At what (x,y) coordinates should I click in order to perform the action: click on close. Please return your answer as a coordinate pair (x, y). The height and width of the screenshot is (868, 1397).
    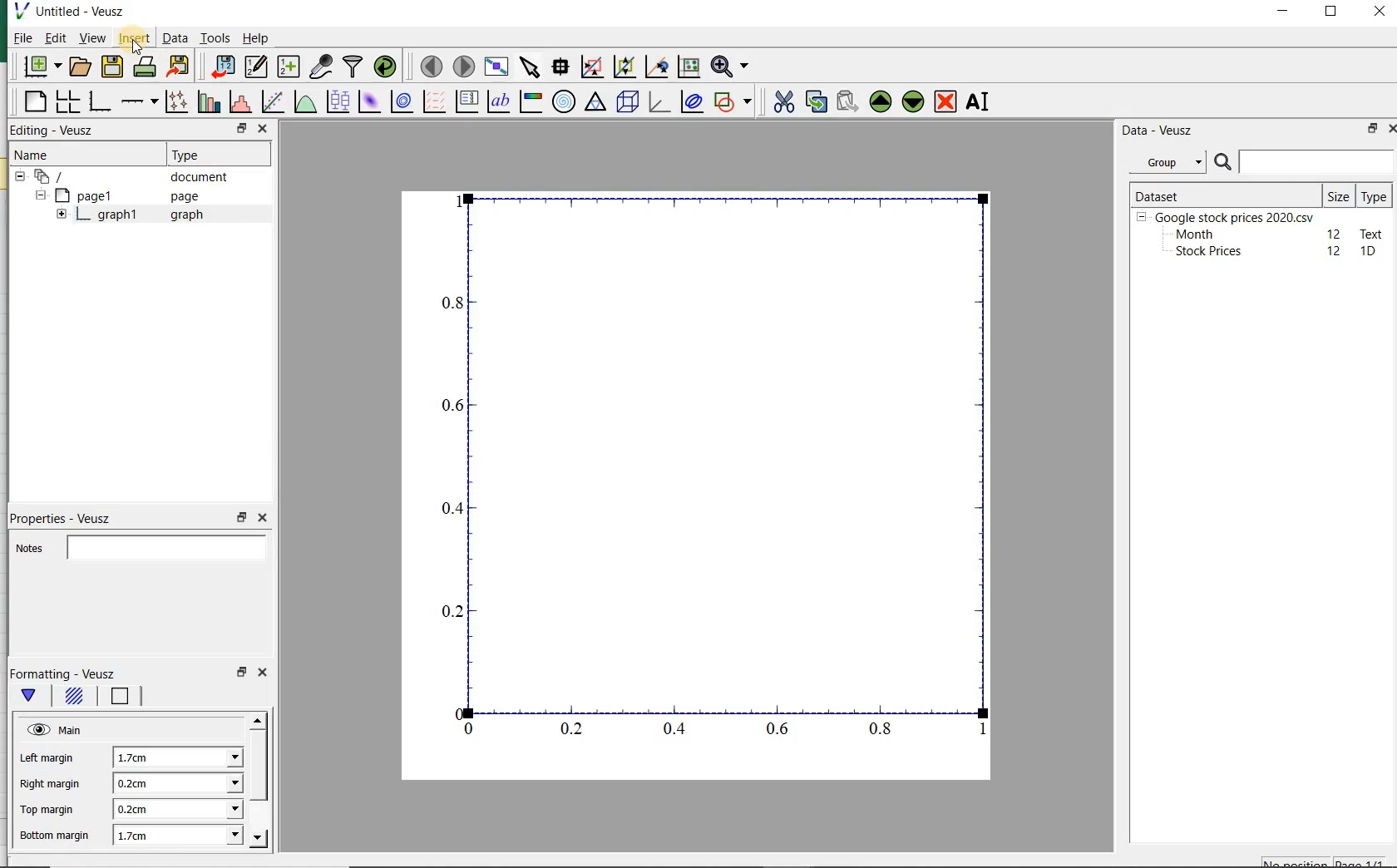
    Looking at the image, I should click on (261, 672).